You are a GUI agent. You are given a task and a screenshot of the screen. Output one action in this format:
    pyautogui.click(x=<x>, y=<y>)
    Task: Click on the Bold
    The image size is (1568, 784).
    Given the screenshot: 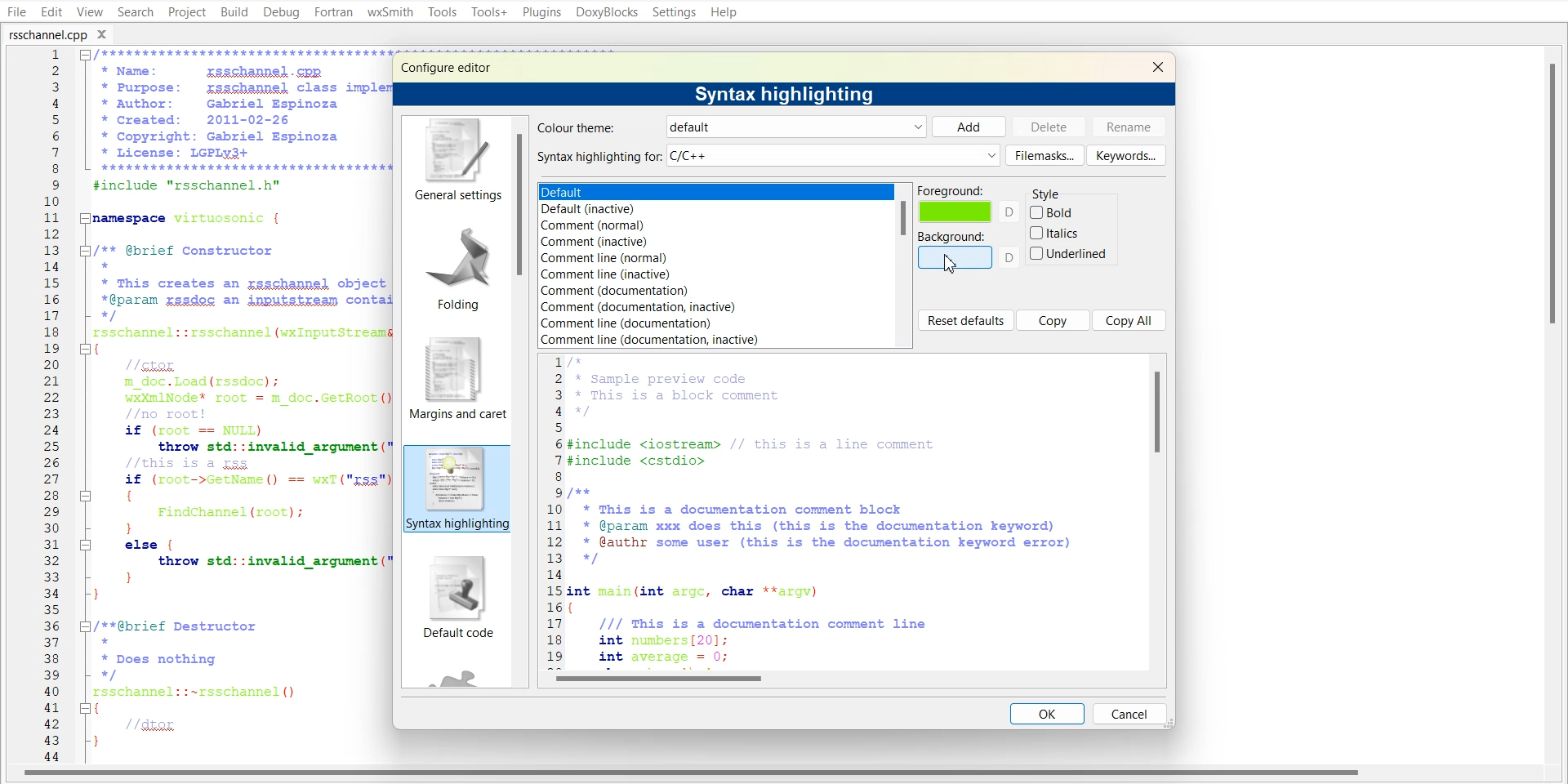 What is the action you would take?
    pyautogui.click(x=1053, y=212)
    